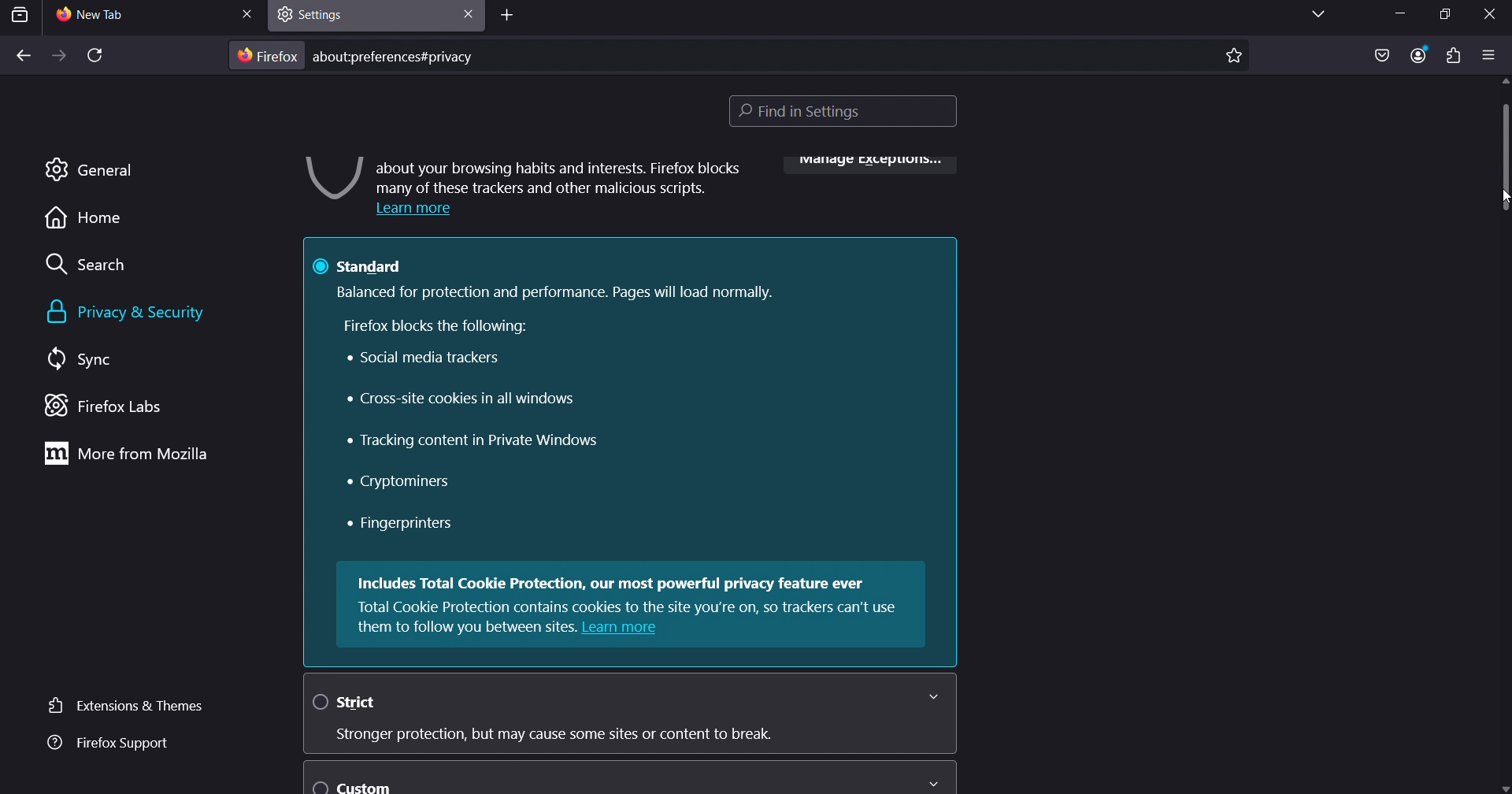 Image resolution: width=1512 pixels, height=794 pixels. What do you see at coordinates (411, 210) in the screenshot?
I see `Learn more` at bounding box center [411, 210].